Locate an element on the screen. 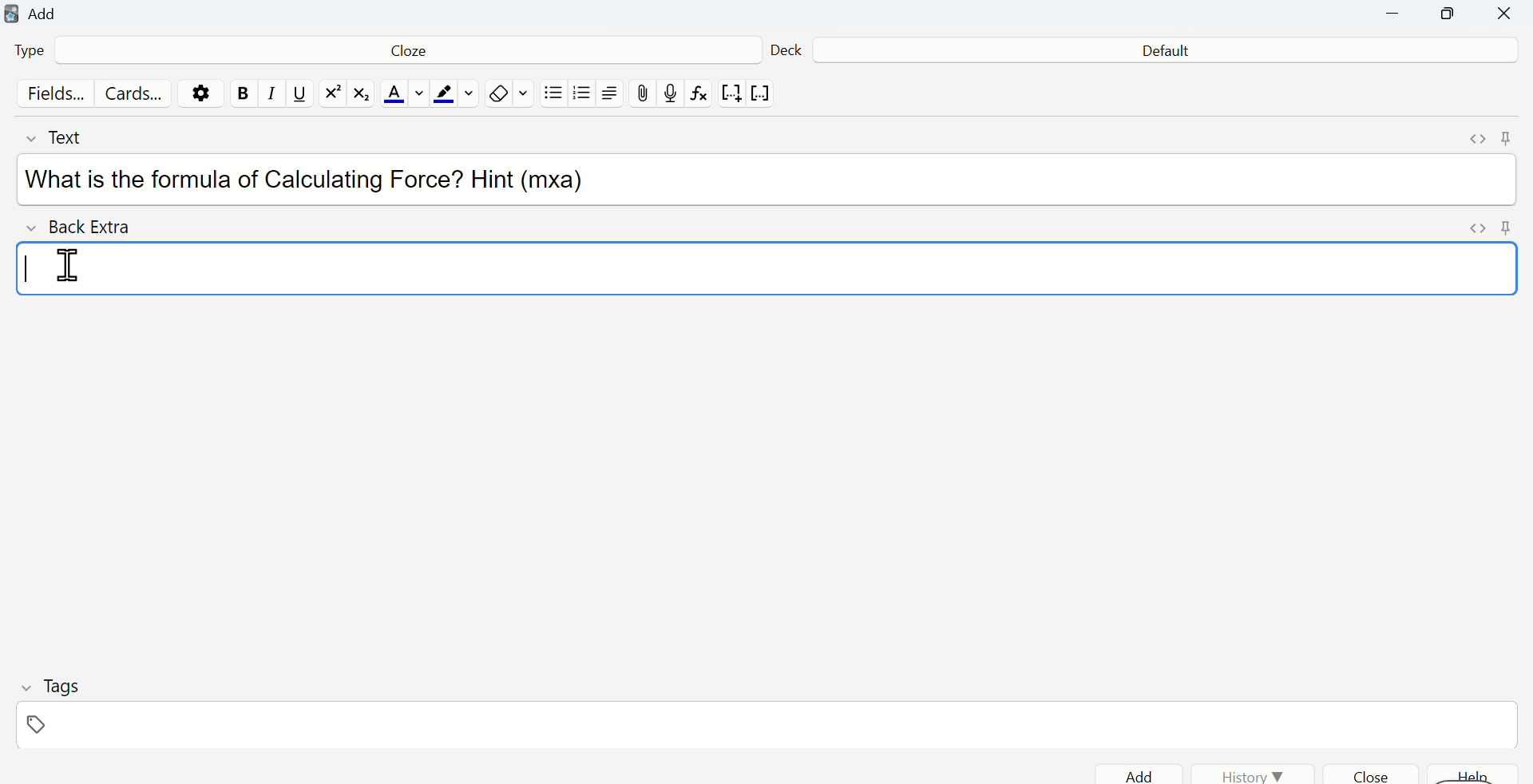  Italics is located at coordinates (267, 98).